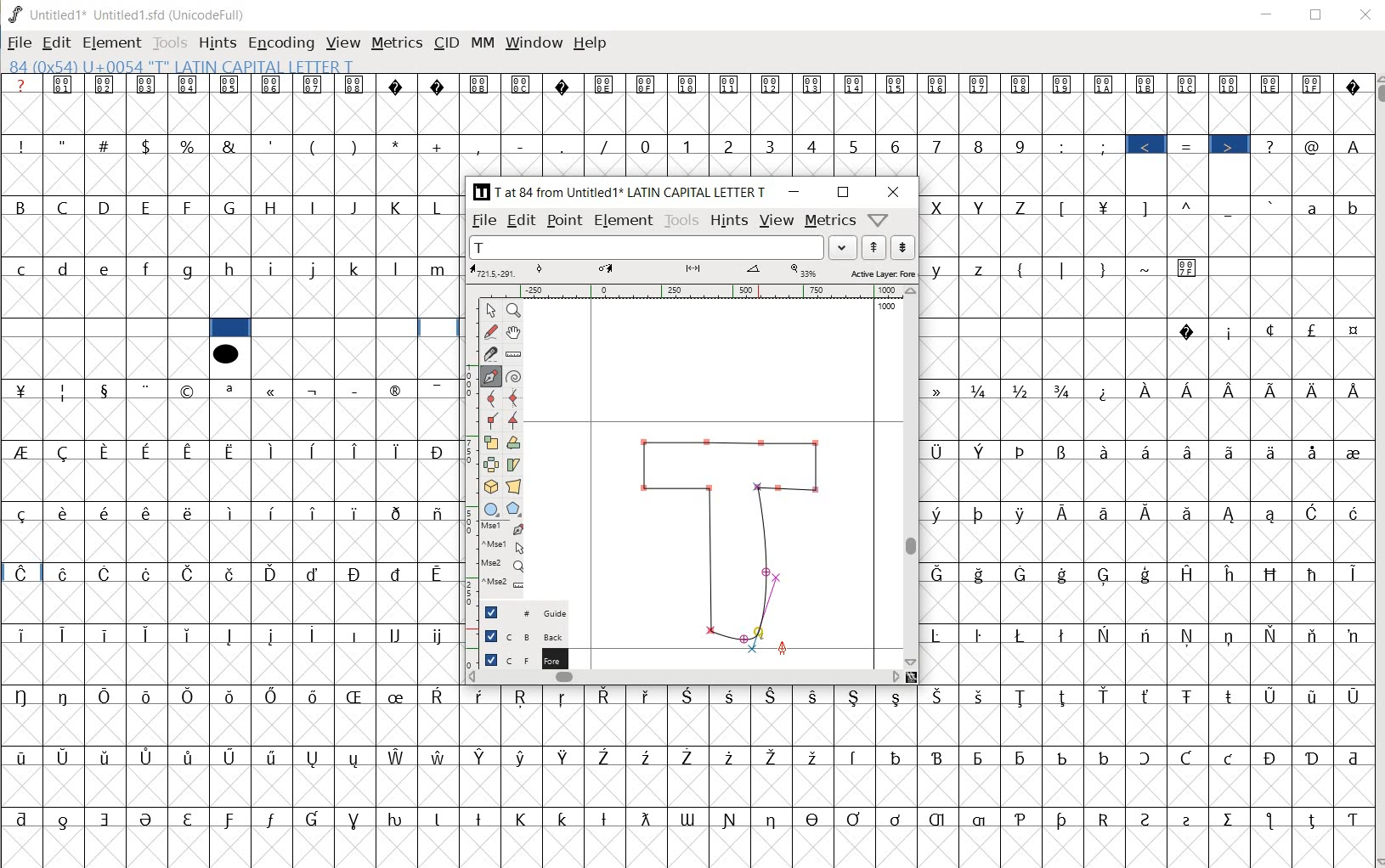 The height and width of the screenshot is (868, 1385). What do you see at coordinates (357, 635) in the screenshot?
I see `Symbol` at bounding box center [357, 635].